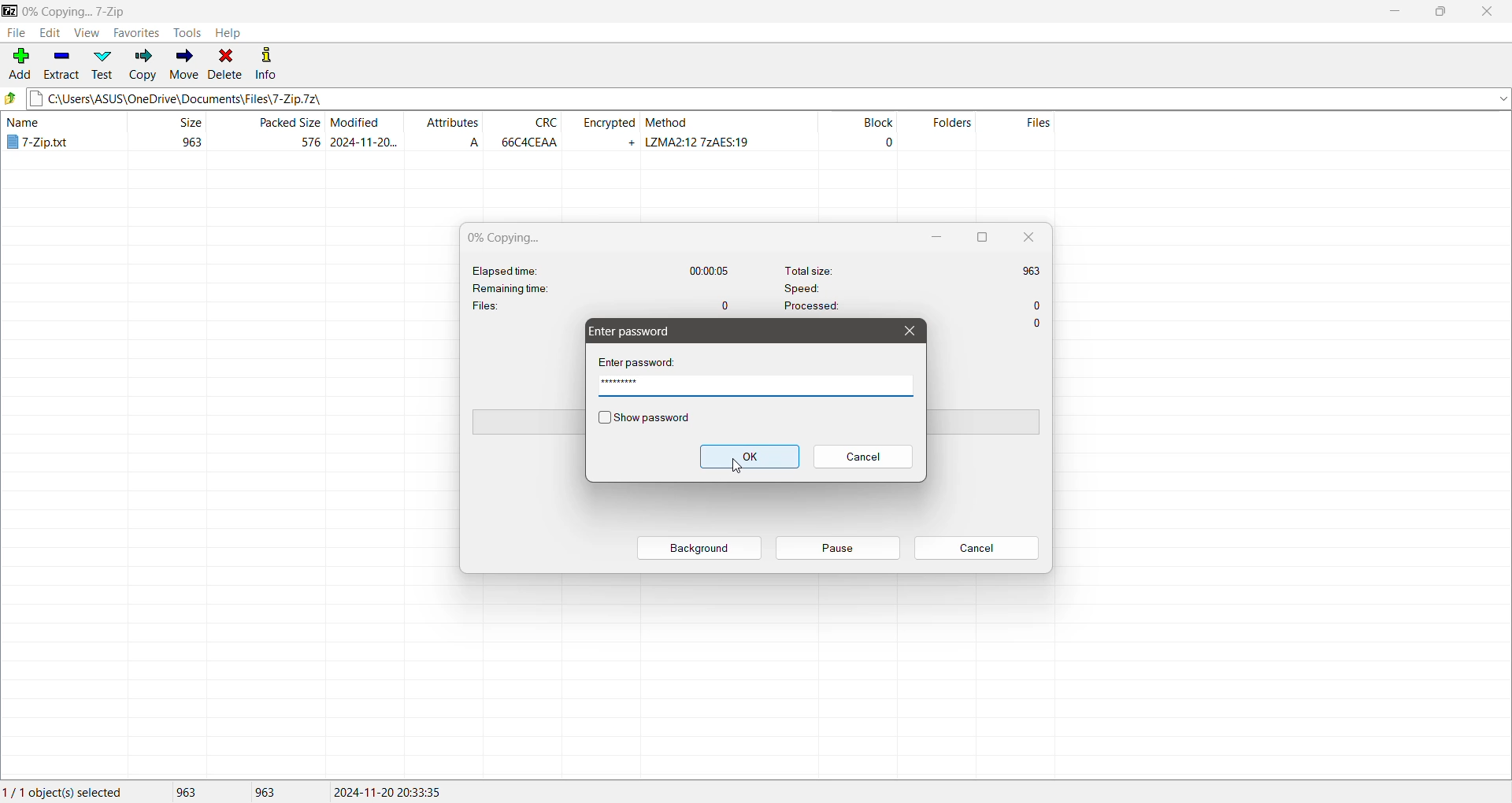 This screenshot has height=803, width=1512. Describe the element at coordinates (1028, 237) in the screenshot. I see `Close` at that location.